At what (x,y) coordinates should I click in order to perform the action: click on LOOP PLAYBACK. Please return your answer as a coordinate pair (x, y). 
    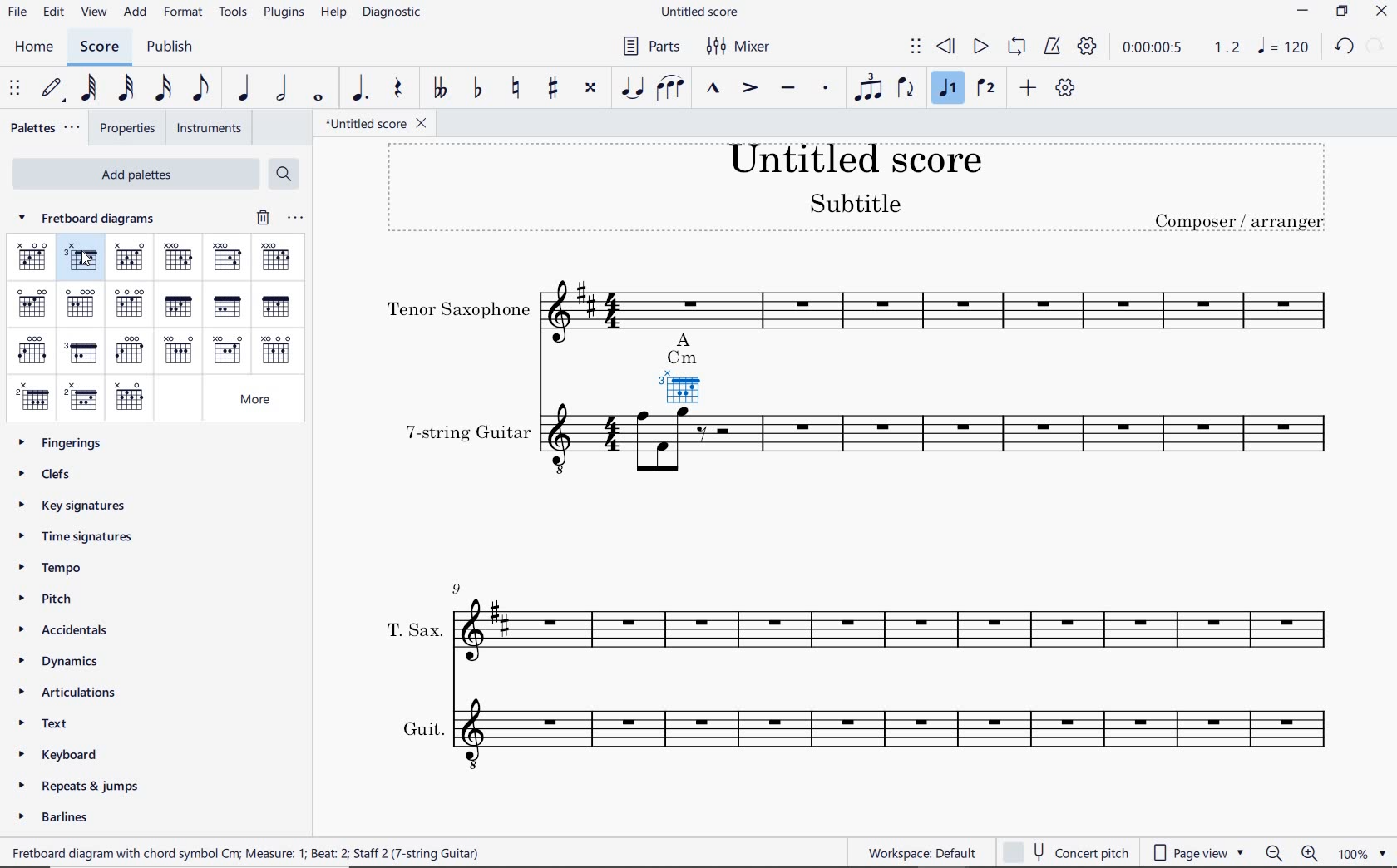
    Looking at the image, I should click on (1015, 46).